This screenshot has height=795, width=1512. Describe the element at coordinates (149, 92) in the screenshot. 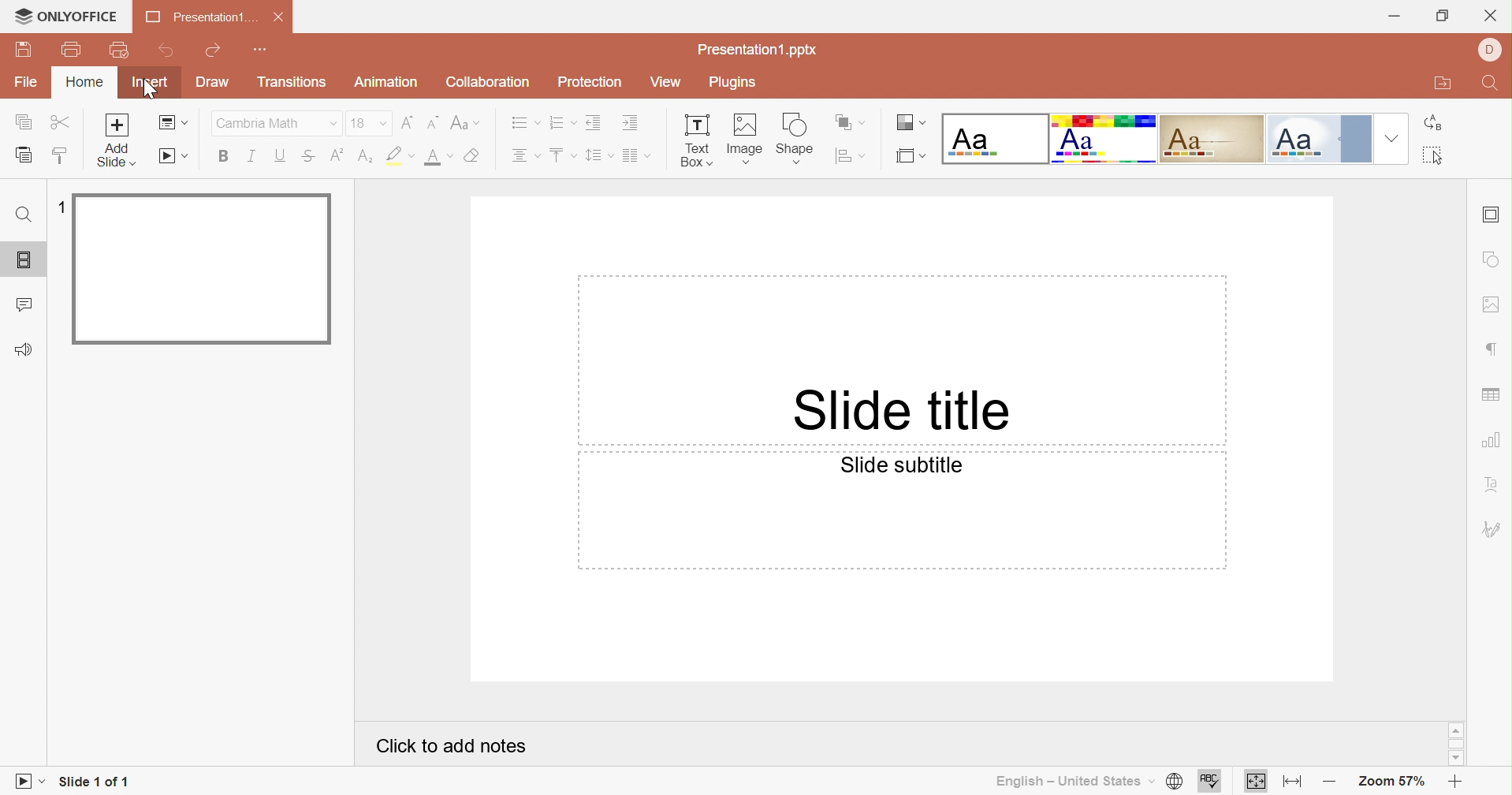

I see `Cursor` at that location.